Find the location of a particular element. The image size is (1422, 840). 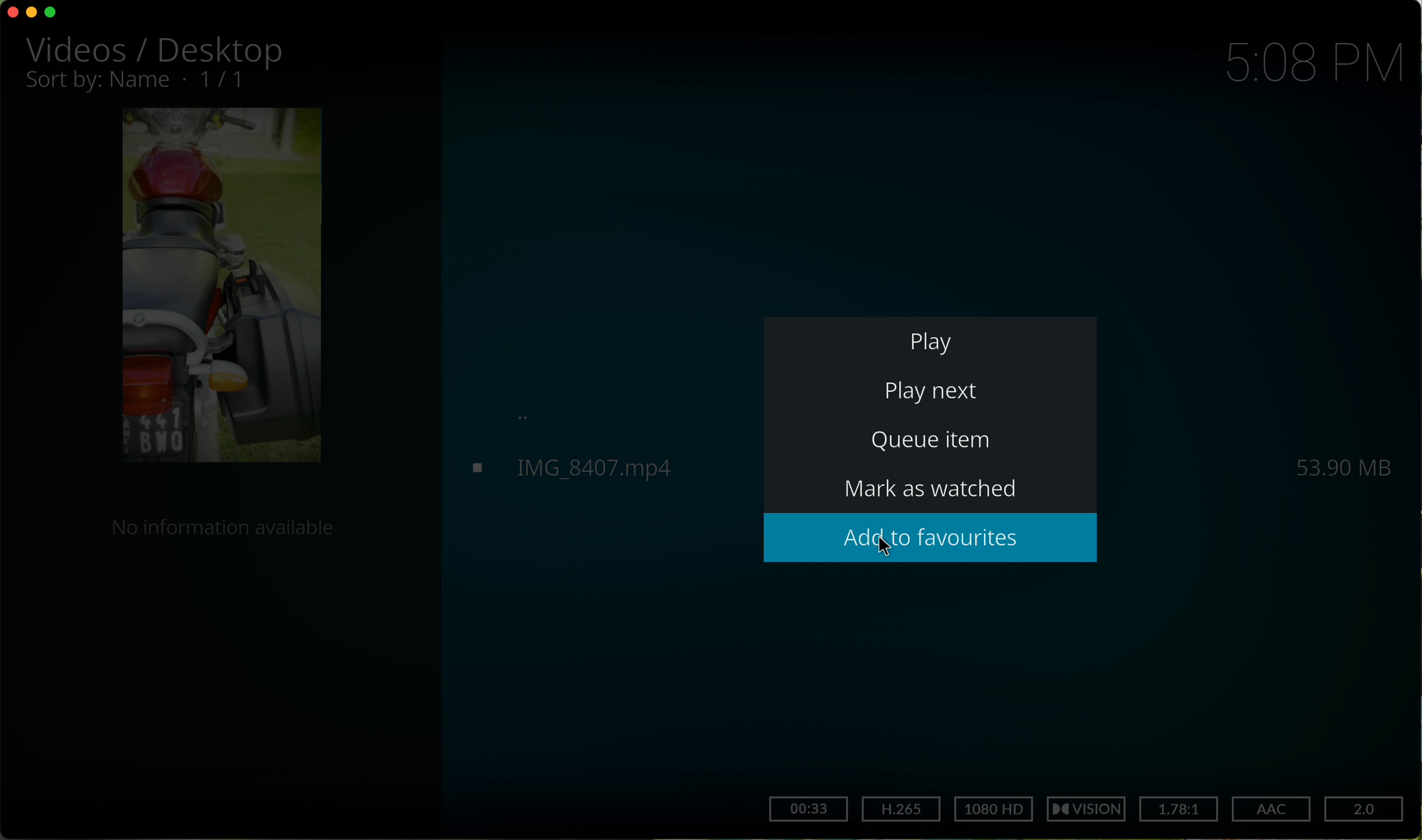

video preview is located at coordinates (220, 288).